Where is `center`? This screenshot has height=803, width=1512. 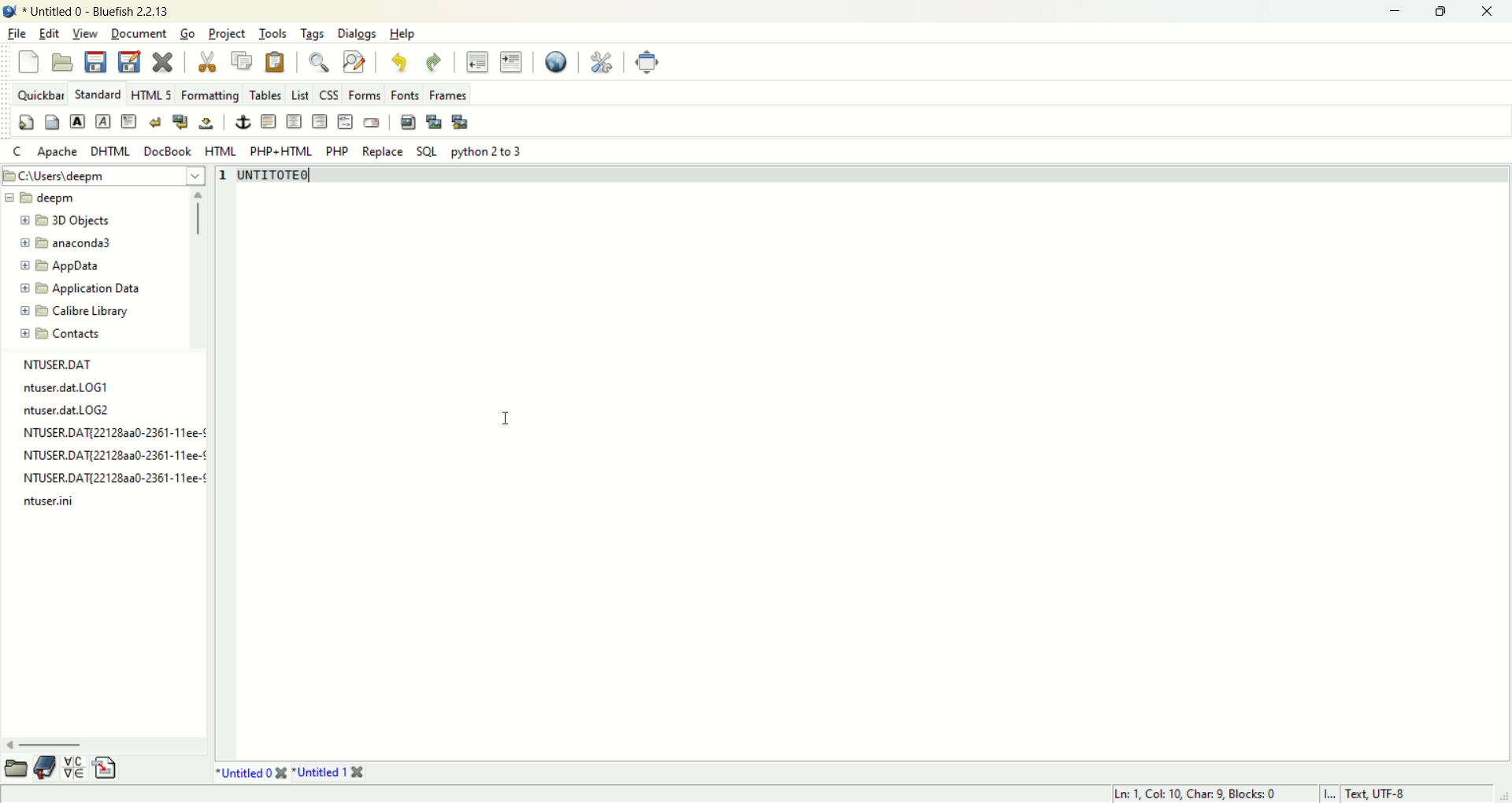
center is located at coordinates (296, 122).